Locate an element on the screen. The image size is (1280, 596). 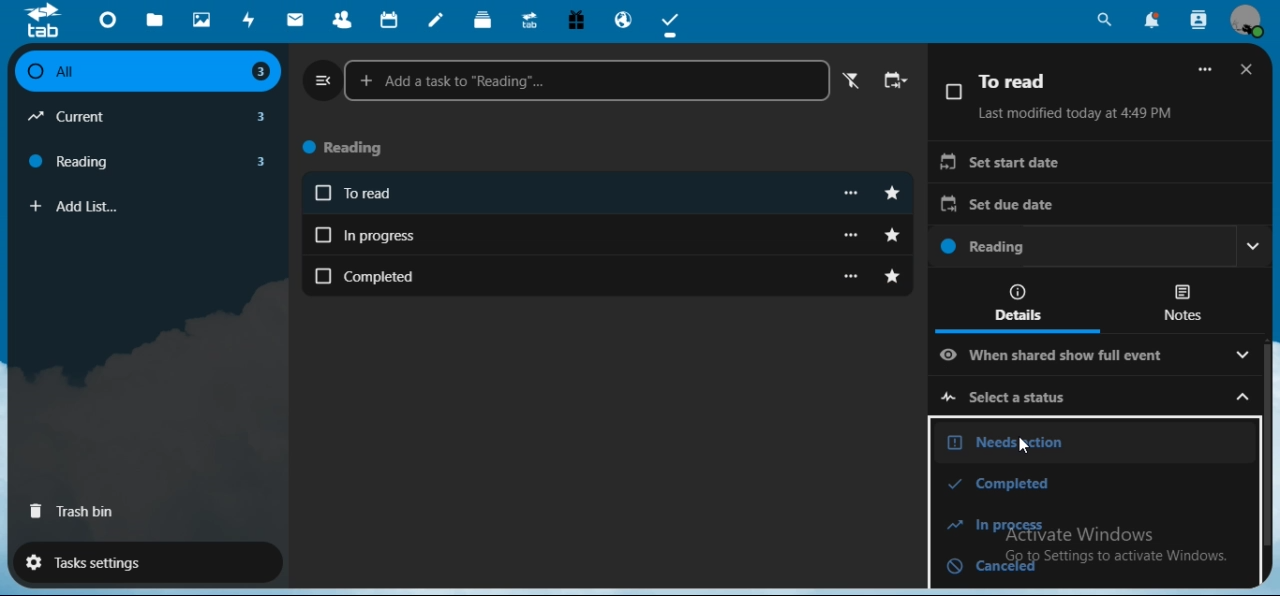
notes is located at coordinates (437, 20).